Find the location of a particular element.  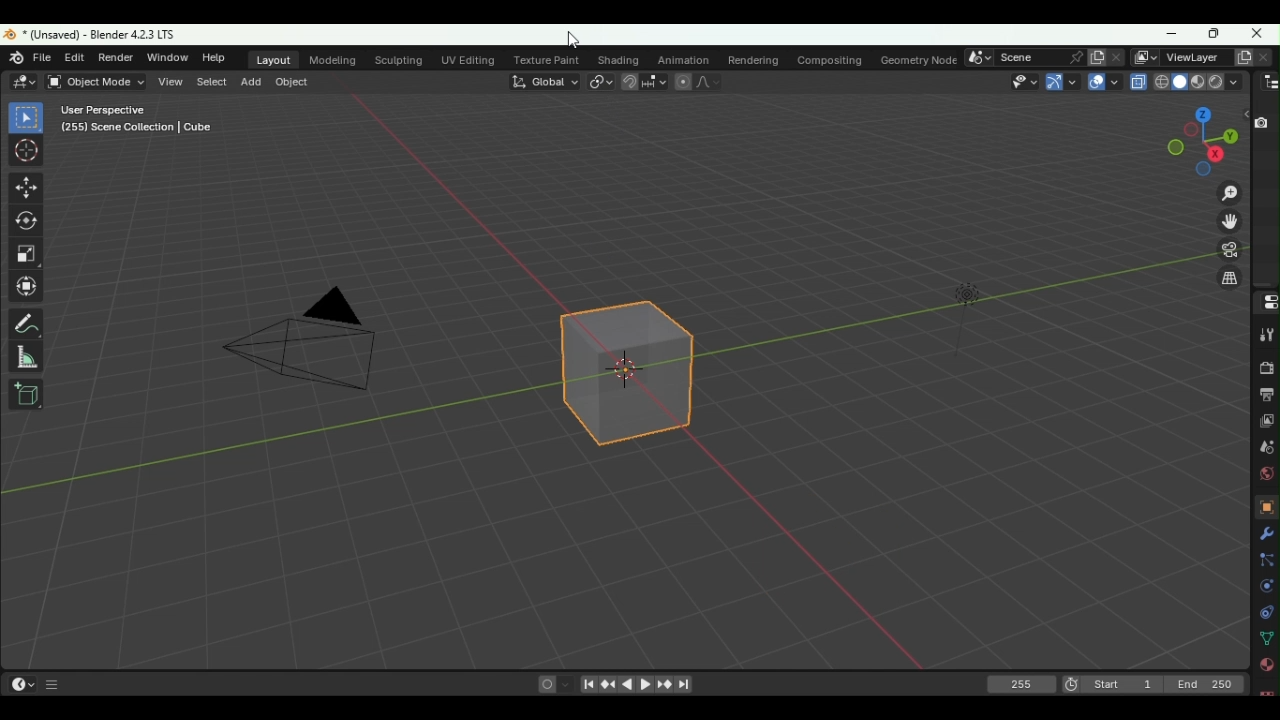

File name is located at coordinates (103, 34).